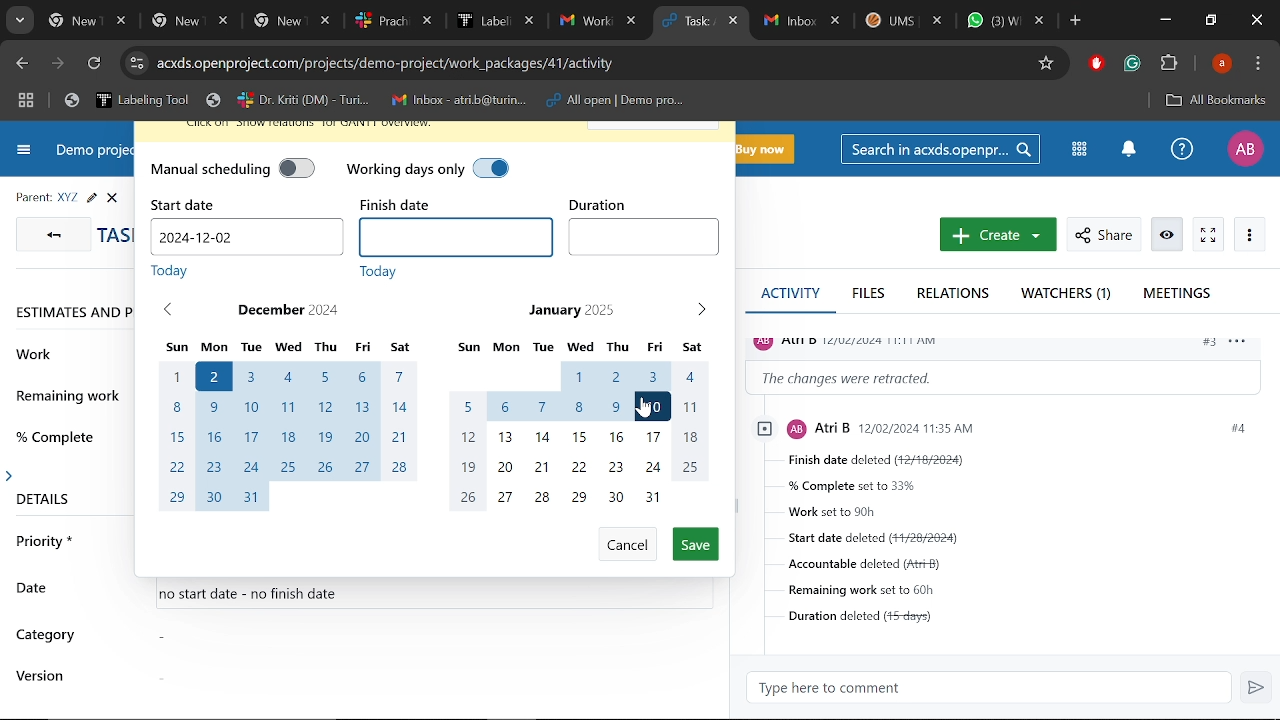  I want to click on New work package, so click(996, 235).